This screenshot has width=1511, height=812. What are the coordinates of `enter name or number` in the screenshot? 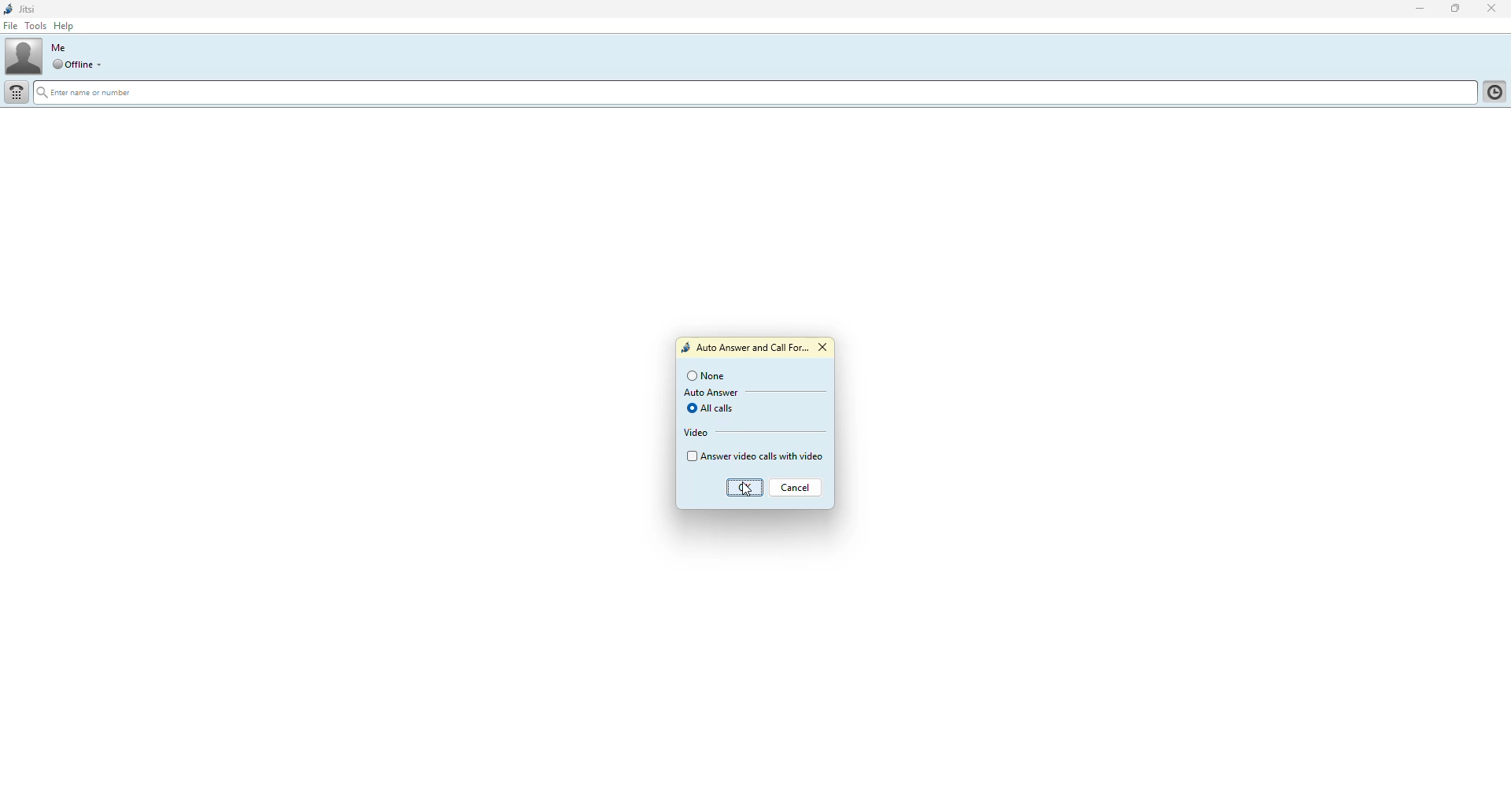 It's located at (90, 94).